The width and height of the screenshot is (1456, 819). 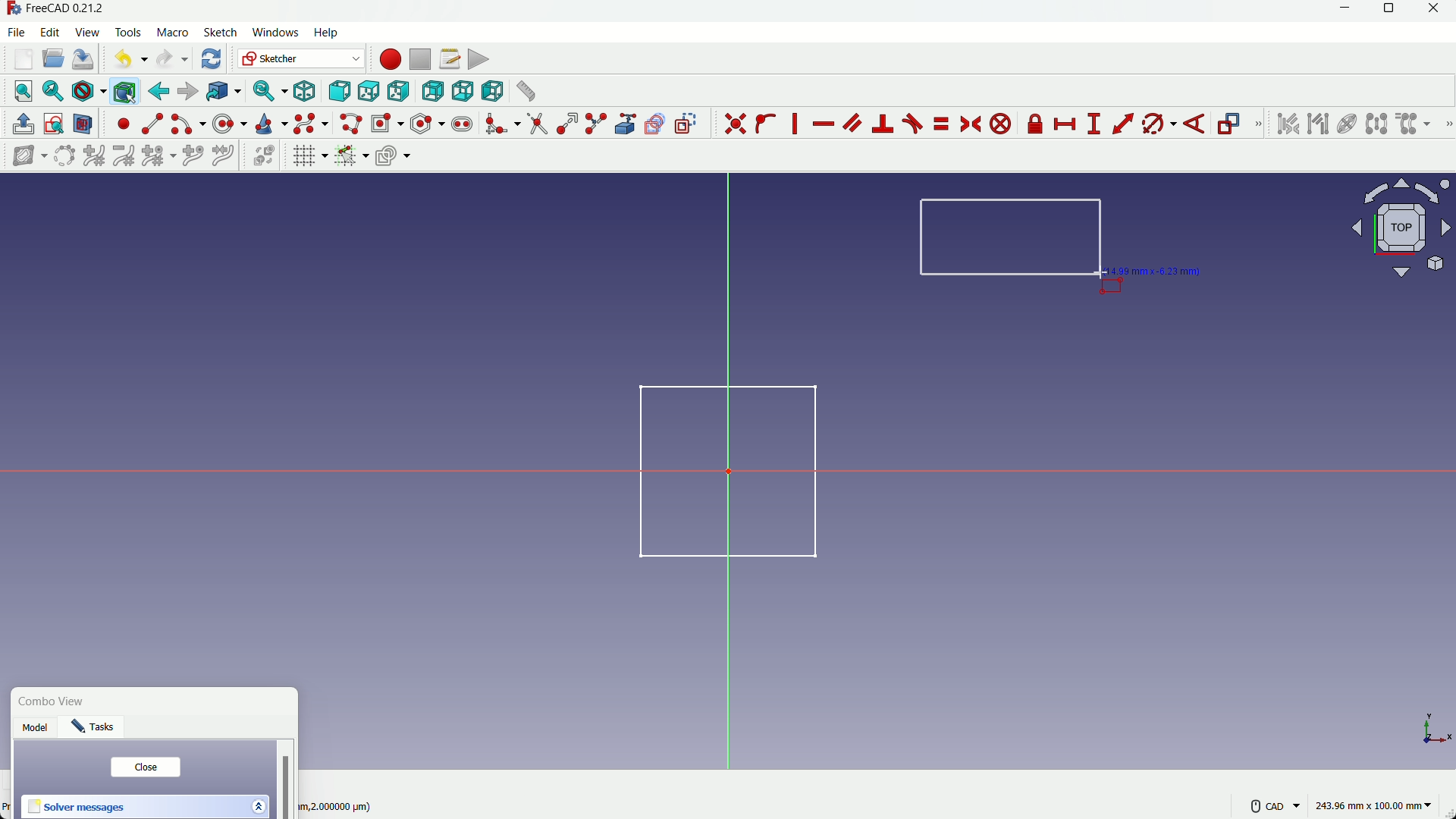 What do you see at coordinates (419, 60) in the screenshot?
I see `stop macros` at bounding box center [419, 60].